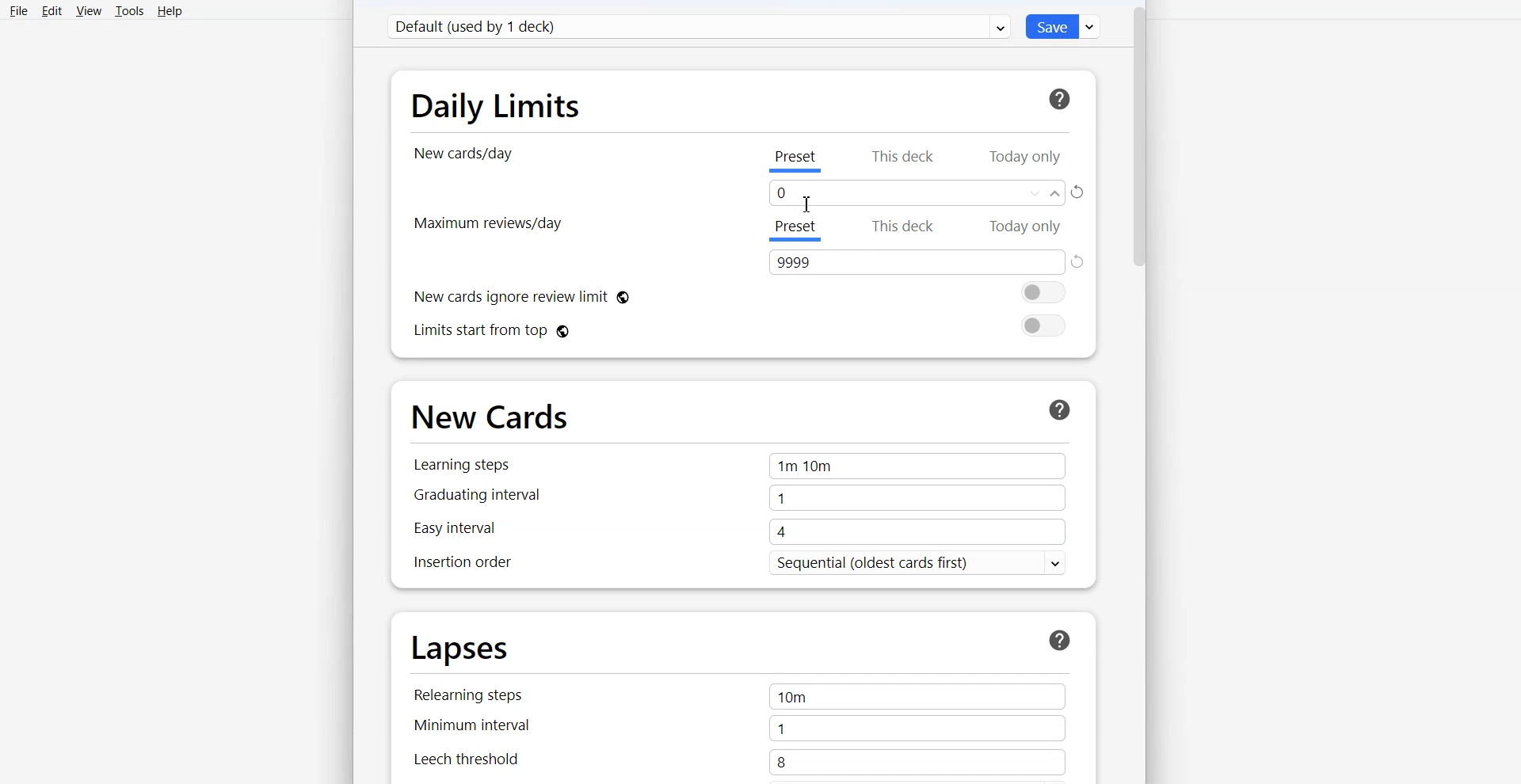  What do you see at coordinates (1133, 392) in the screenshot?
I see `Vertical scroll bar` at bounding box center [1133, 392].